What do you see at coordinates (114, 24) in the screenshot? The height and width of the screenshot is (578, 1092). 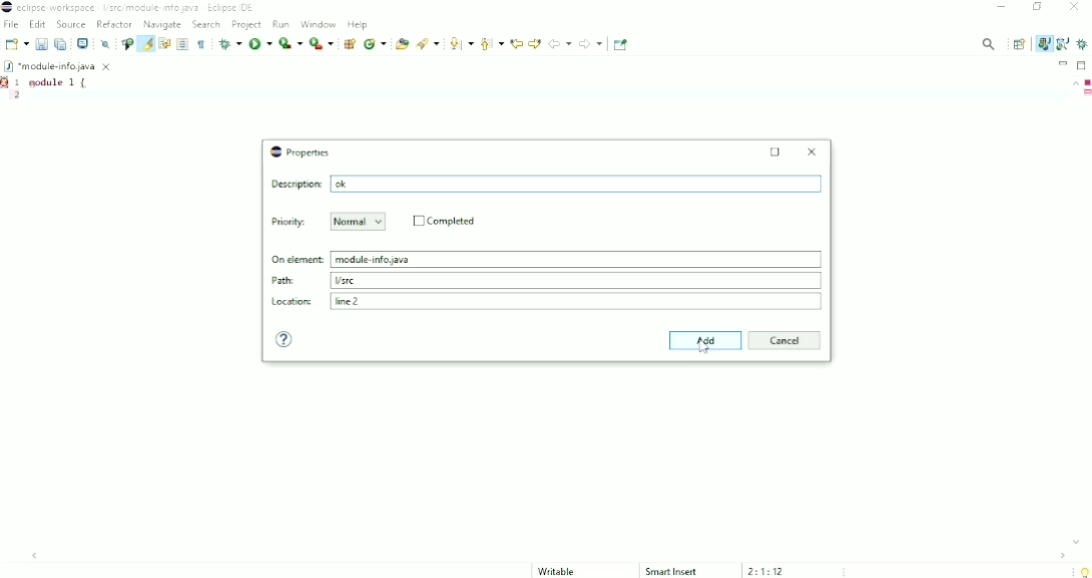 I see `Refactor` at bounding box center [114, 24].